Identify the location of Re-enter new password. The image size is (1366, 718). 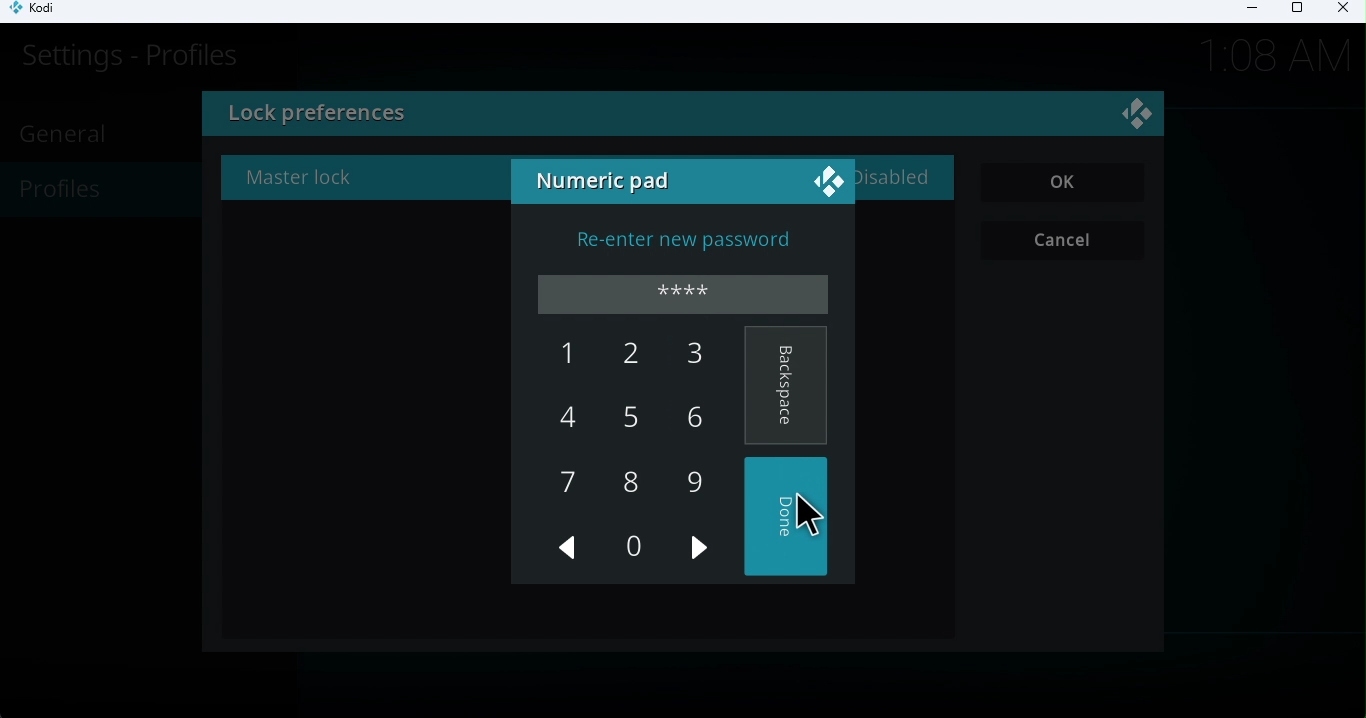
(670, 238).